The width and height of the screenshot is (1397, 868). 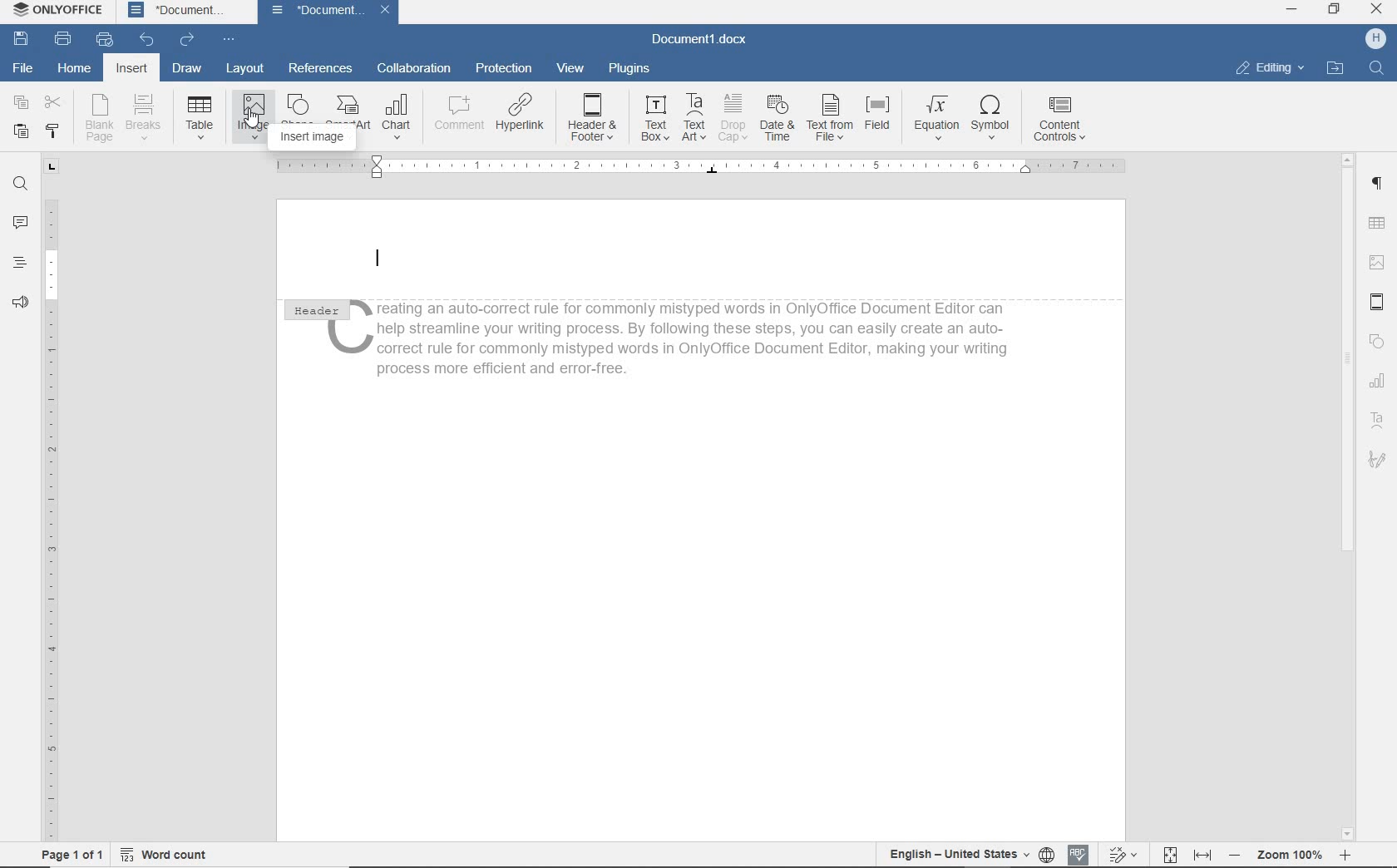 What do you see at coordinates (1348, 496) in the screenshot?
I see `SCROLLBAR` at bounding box center [1348, 496].